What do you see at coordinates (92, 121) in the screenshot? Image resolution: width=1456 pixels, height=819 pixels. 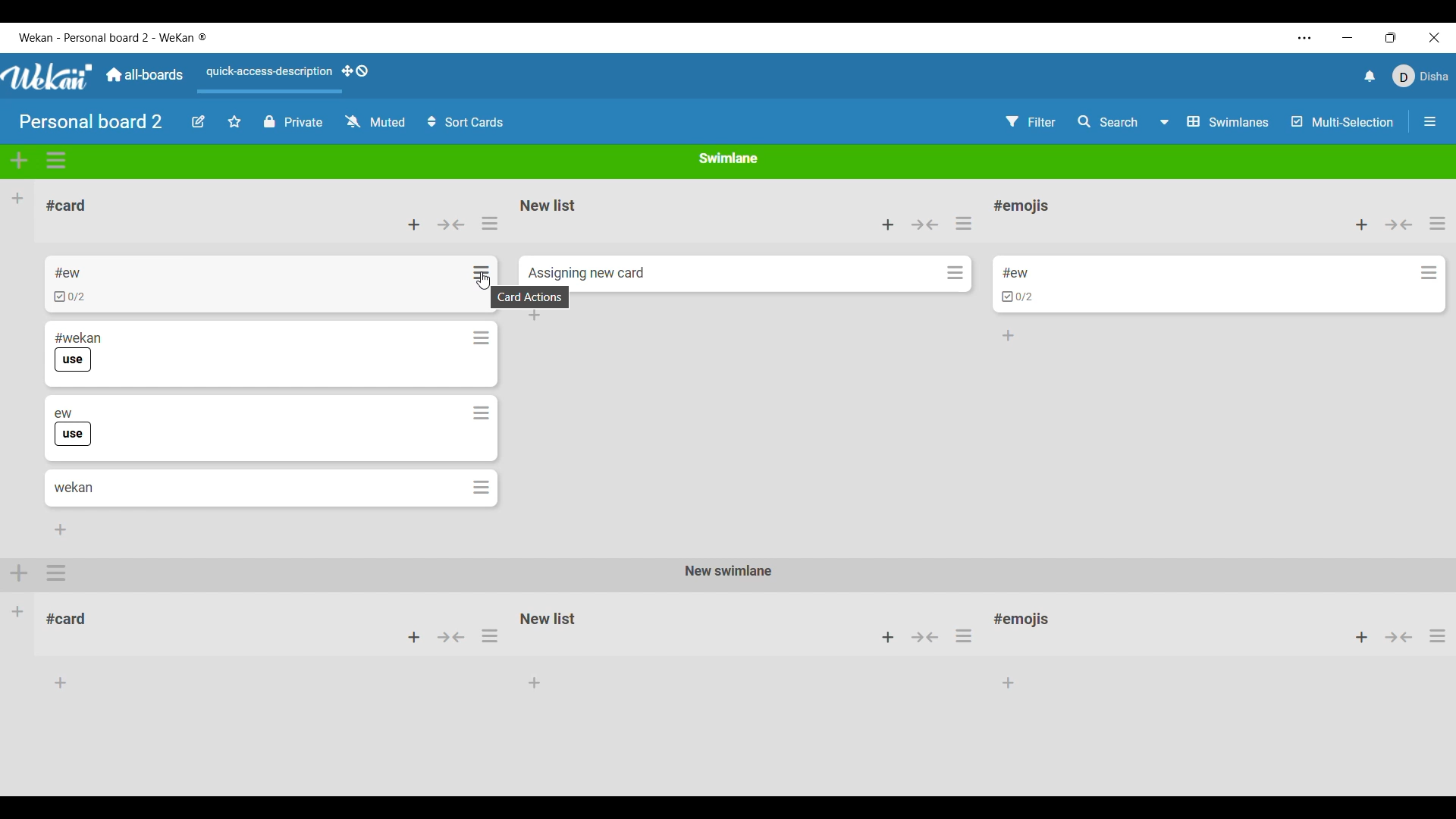 I see `Board title` at bounding box center [92, 121].